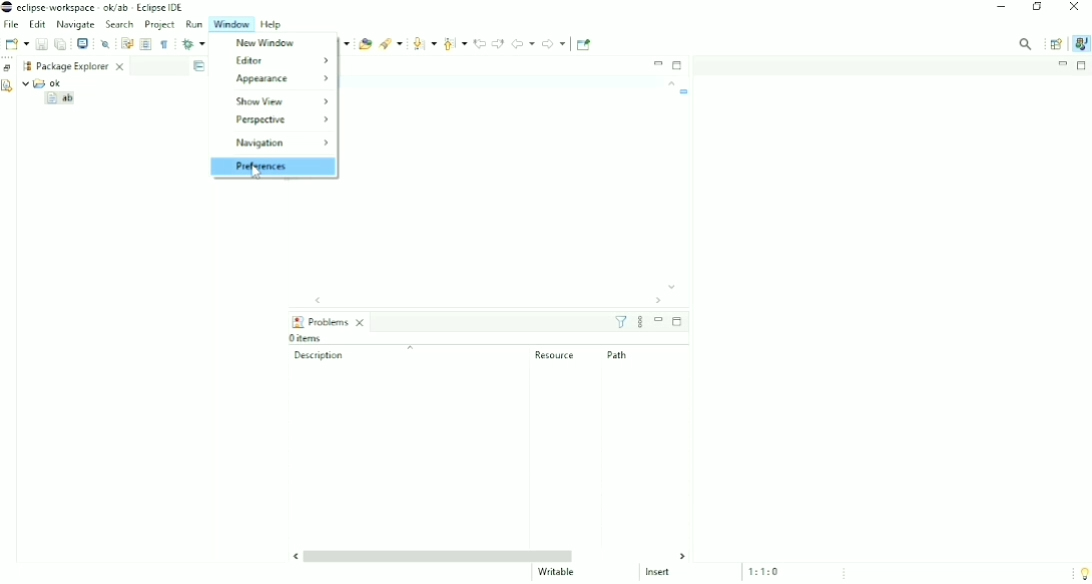 Image resolution: width=1092 pixels, height=584 pixels. I want to click on Pin Editor, so click(585, 44).